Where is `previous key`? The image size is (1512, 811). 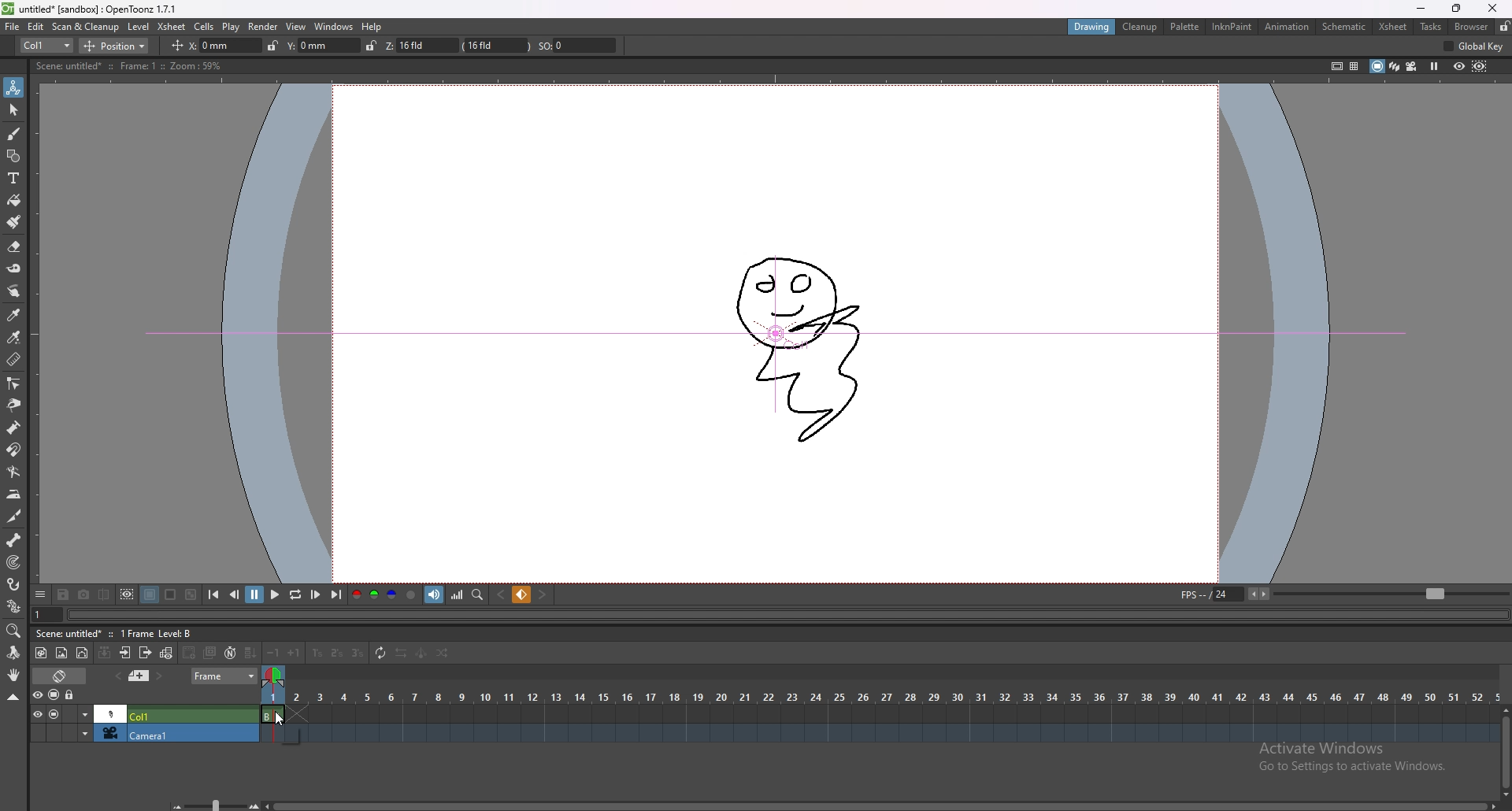 previous key is located at coordinates (502, 594).